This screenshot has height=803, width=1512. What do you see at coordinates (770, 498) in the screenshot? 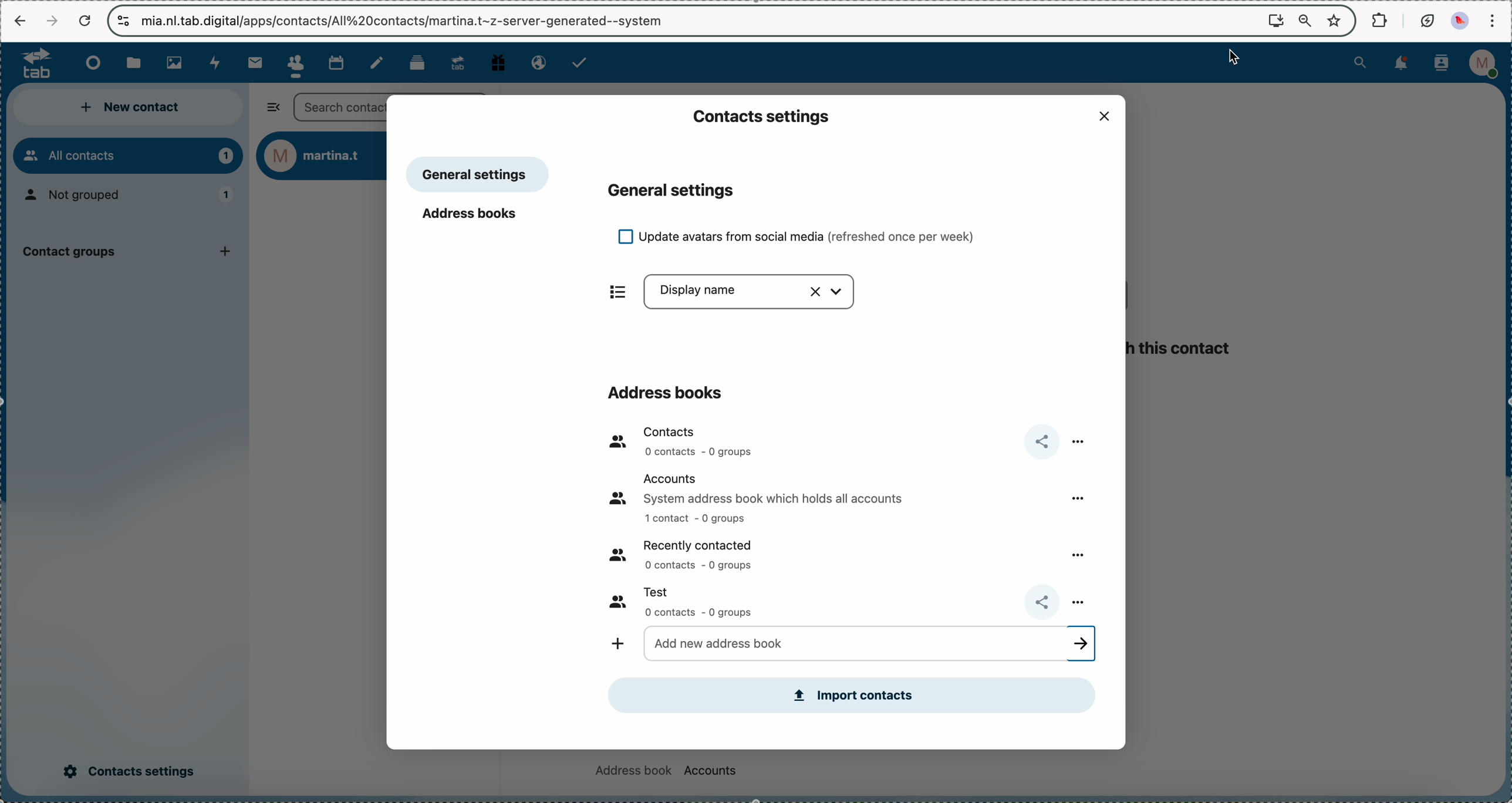
I see `accounts` at bounding box center [770, 498].